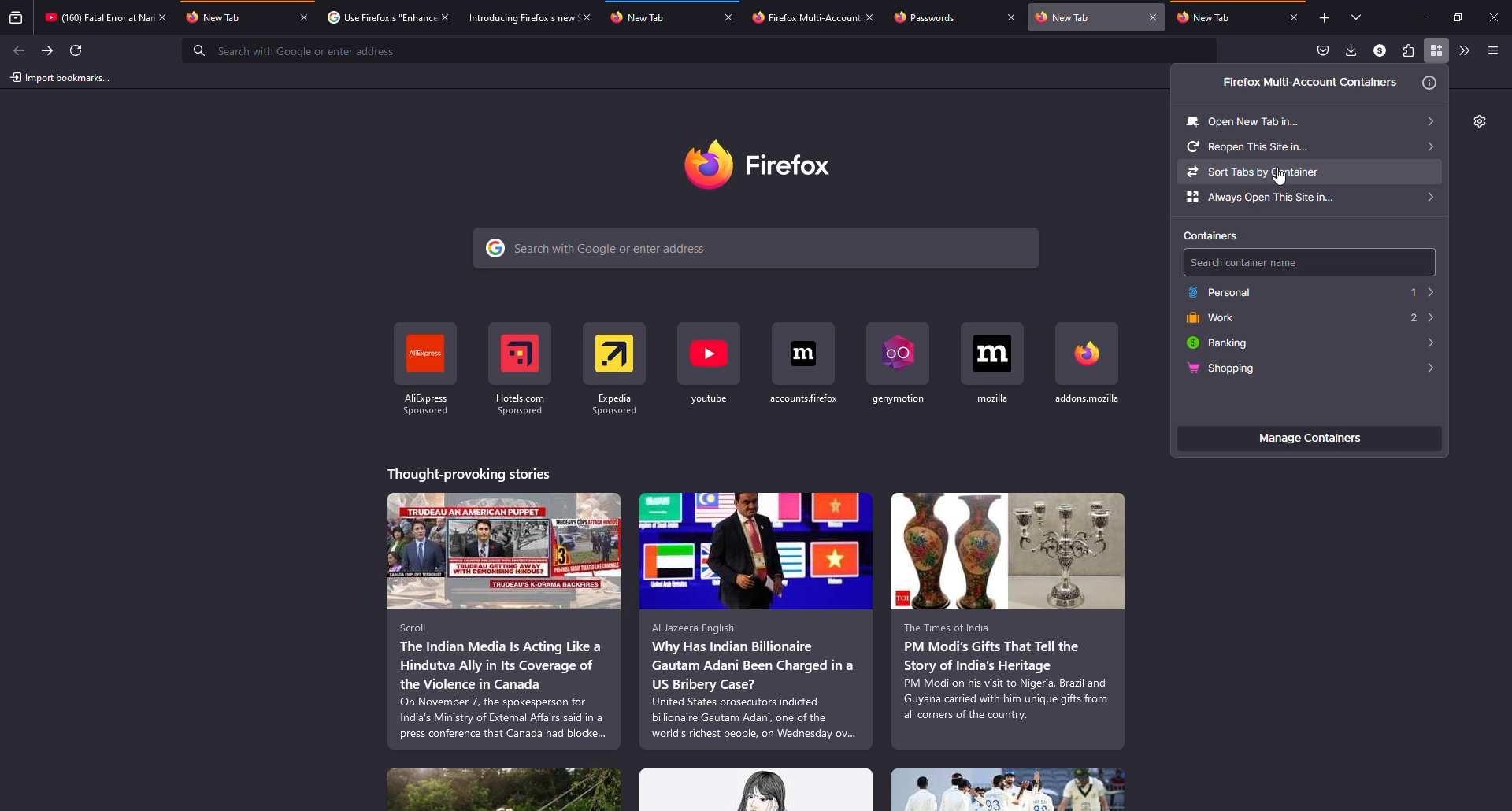  What do you see at coordinates (802, 17) in the screenshot?
I see `tab` at bounding box center [802, 17].